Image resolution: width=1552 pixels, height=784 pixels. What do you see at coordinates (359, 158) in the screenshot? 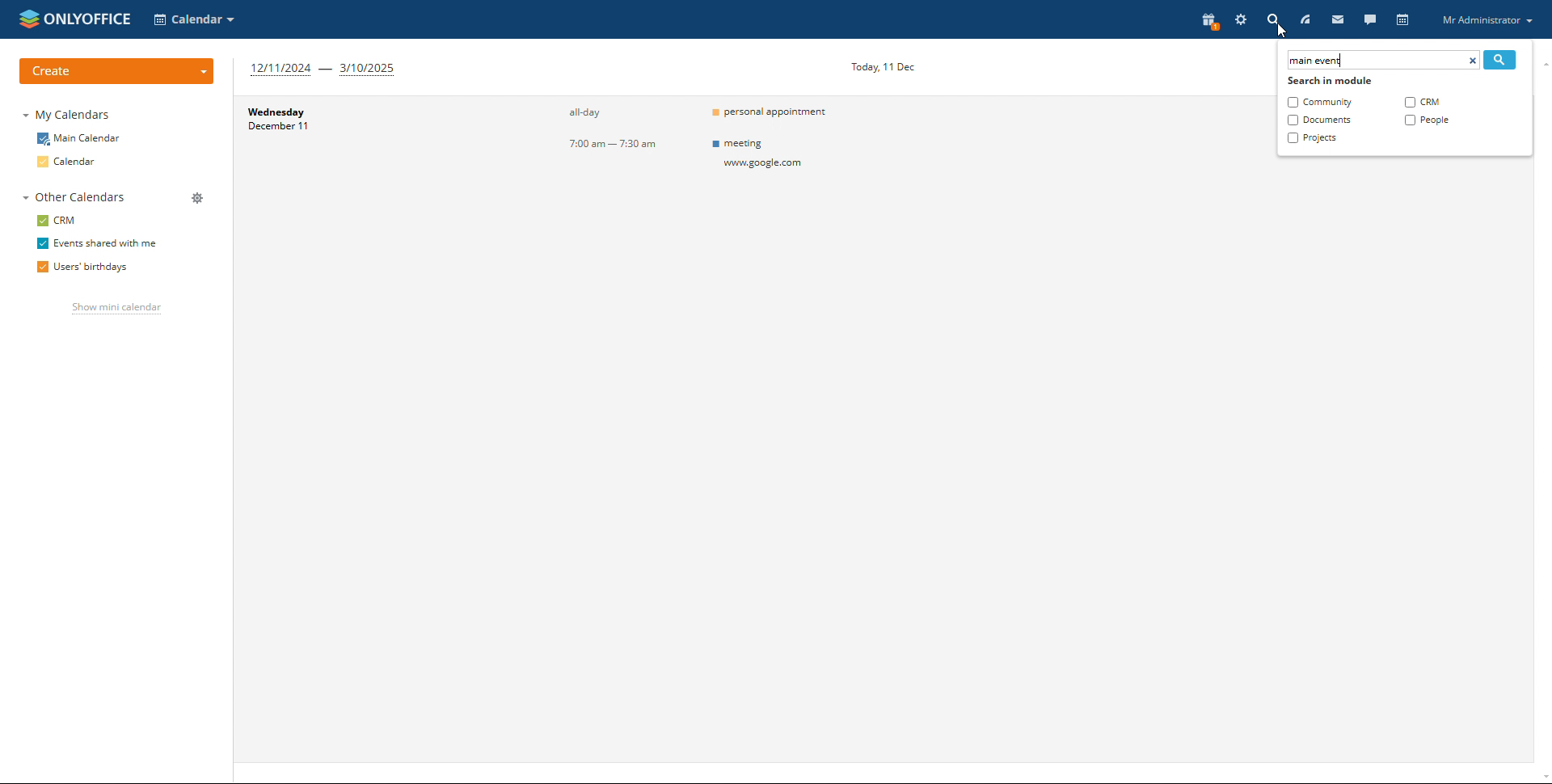
I see `Wednesday December 11` at bounding box center [359, 158].